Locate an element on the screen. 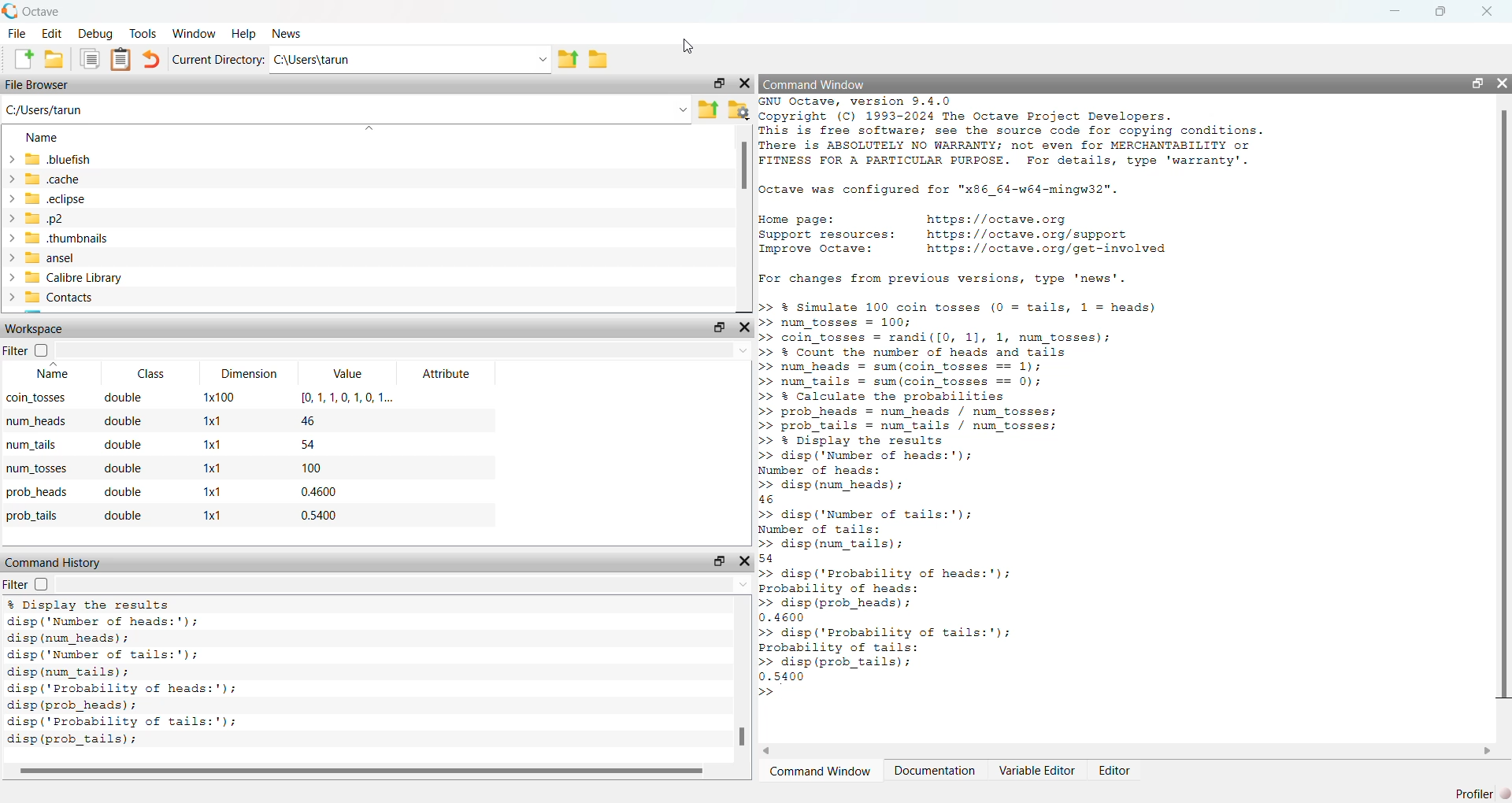  .p2 is located at coordinates (36, 219).